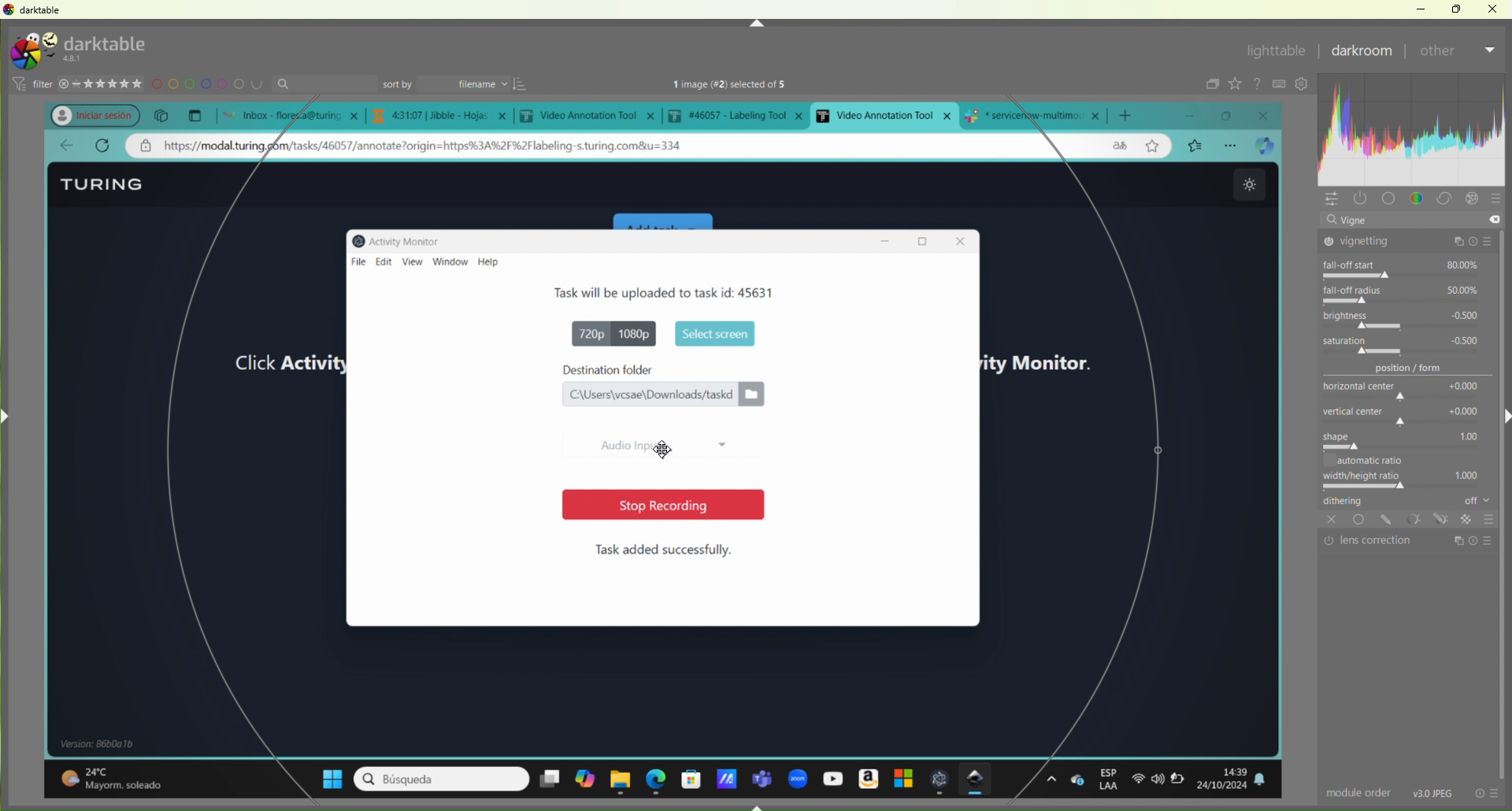  What do you see at coordinates (149, 147) in the screenshot?
I see `private address` at bounding box center [149, 147].